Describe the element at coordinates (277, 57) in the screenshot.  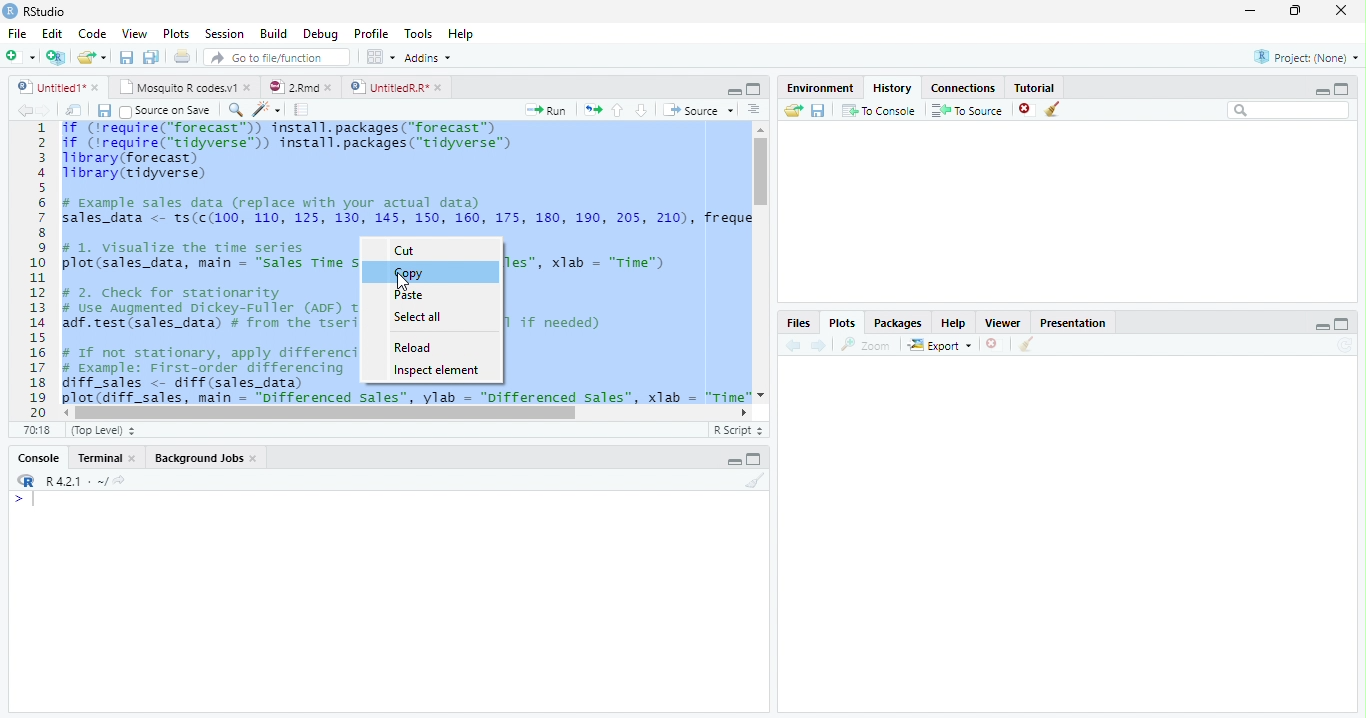
I see `Go to file/function` at that location.